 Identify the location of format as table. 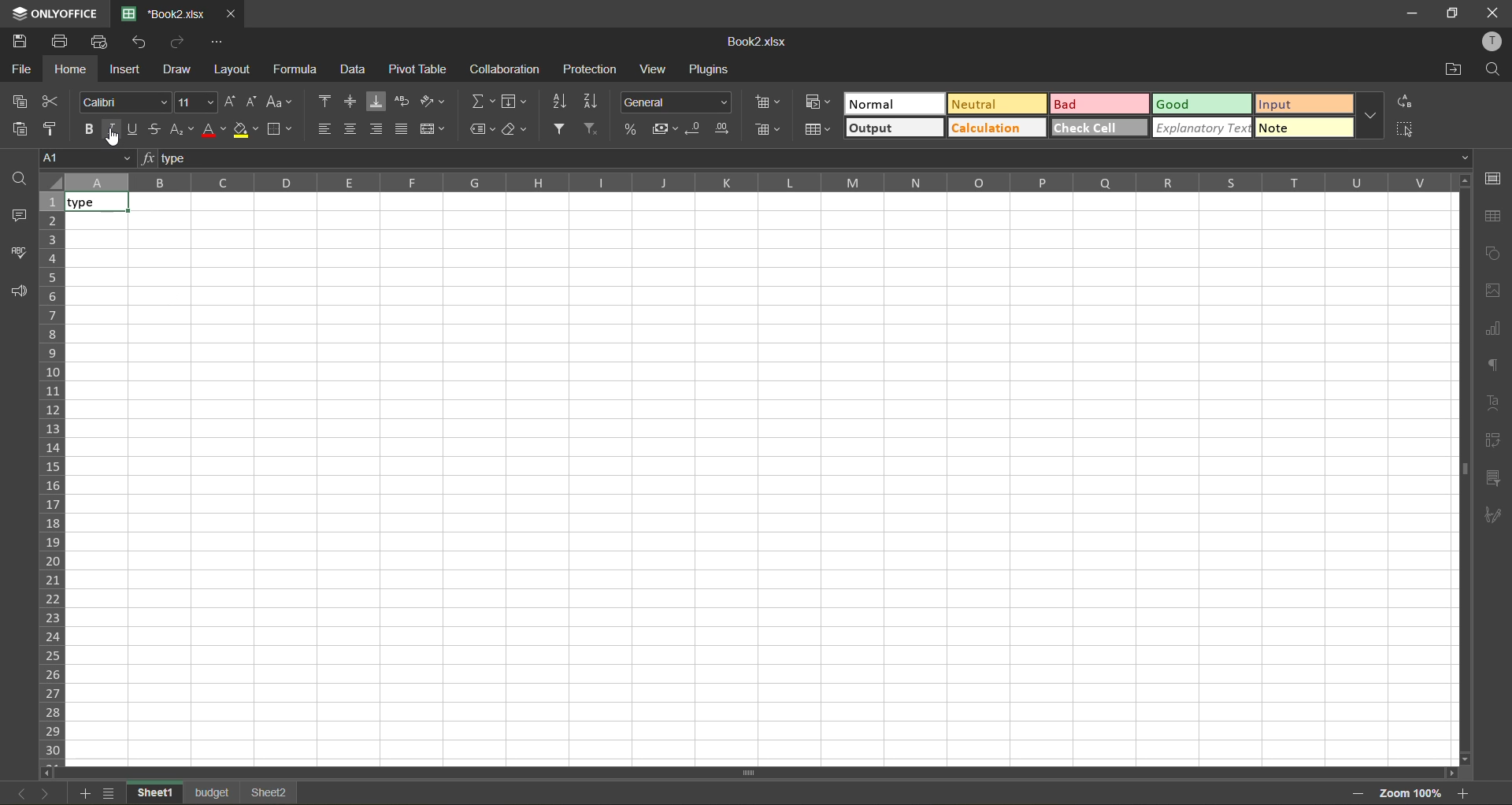
(817, 131).